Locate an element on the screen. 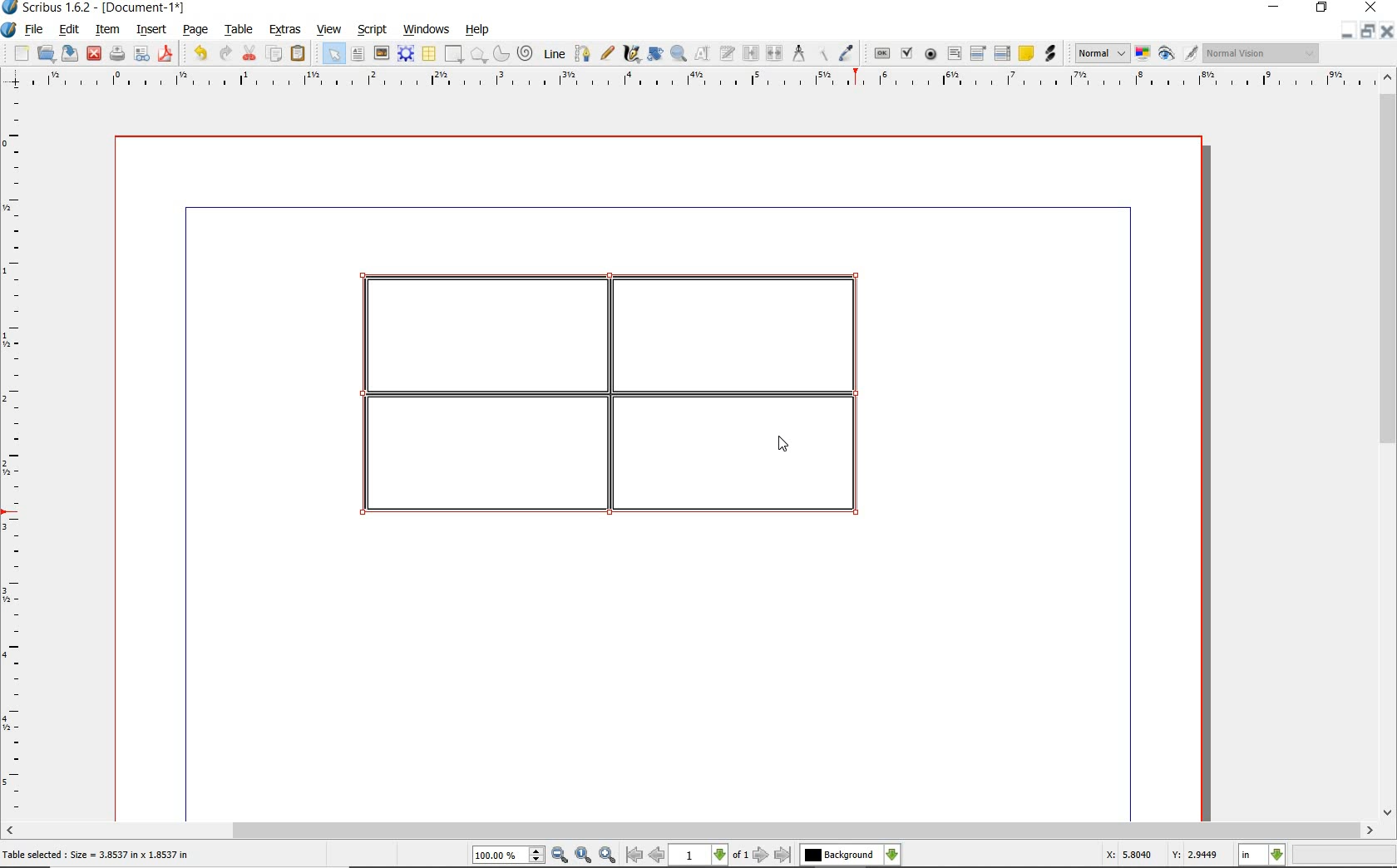 The image size is (1397, 868). help is located at coordinates (477, 30).